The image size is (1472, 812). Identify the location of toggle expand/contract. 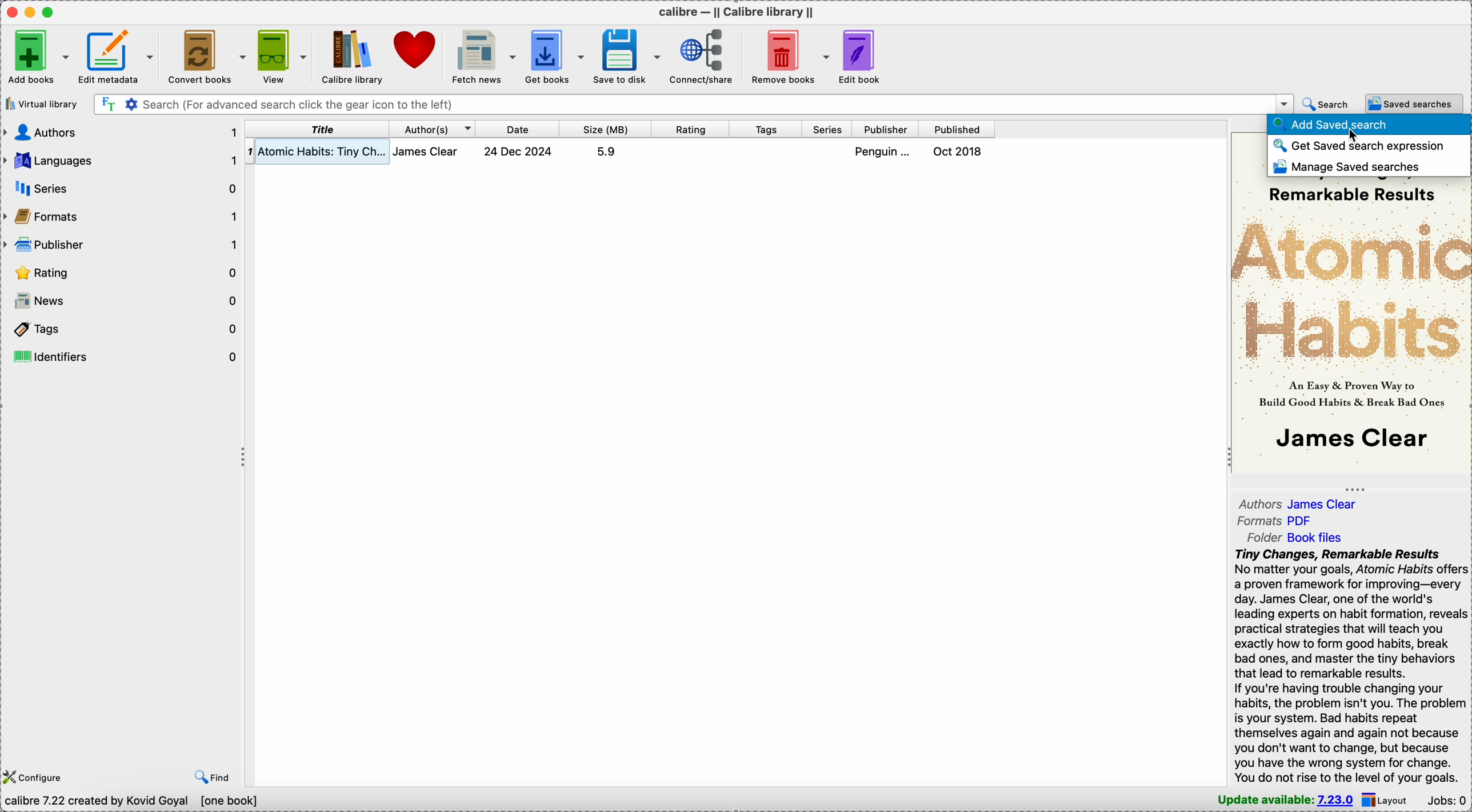
(1355, 489).